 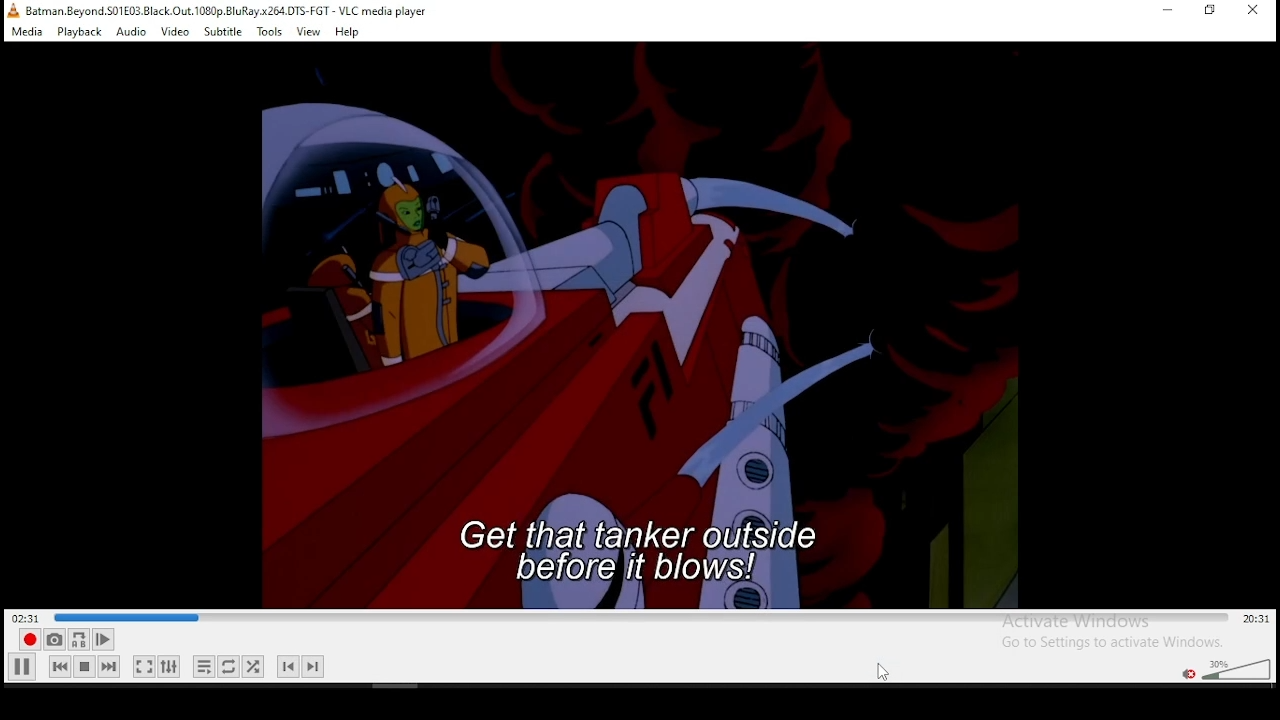 What do you see at coordinates (883, 670) in the screenshot?
I see `cursor` at bounding box center [883, 670].